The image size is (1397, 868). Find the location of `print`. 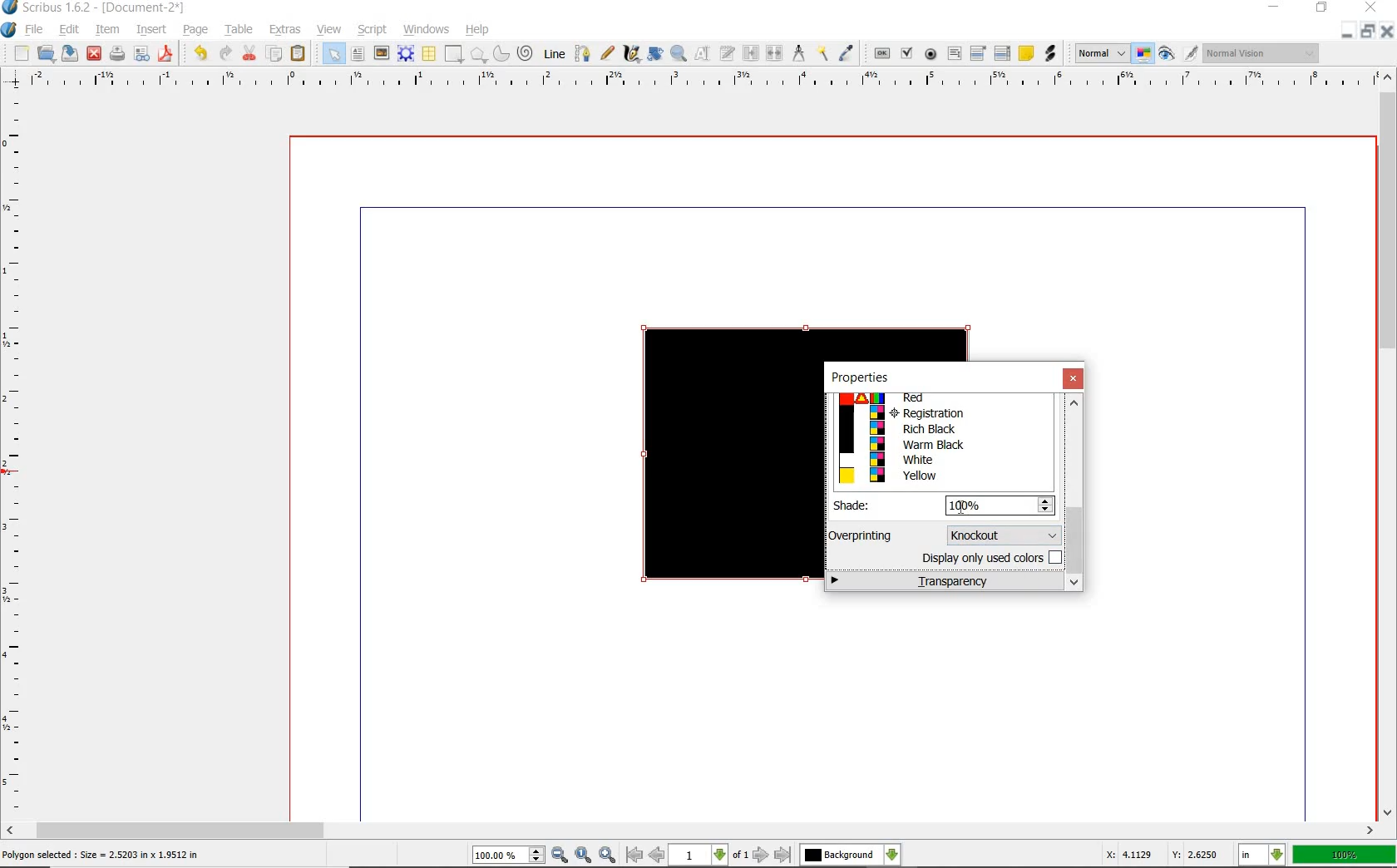

print is located at coordinates (119, 56).